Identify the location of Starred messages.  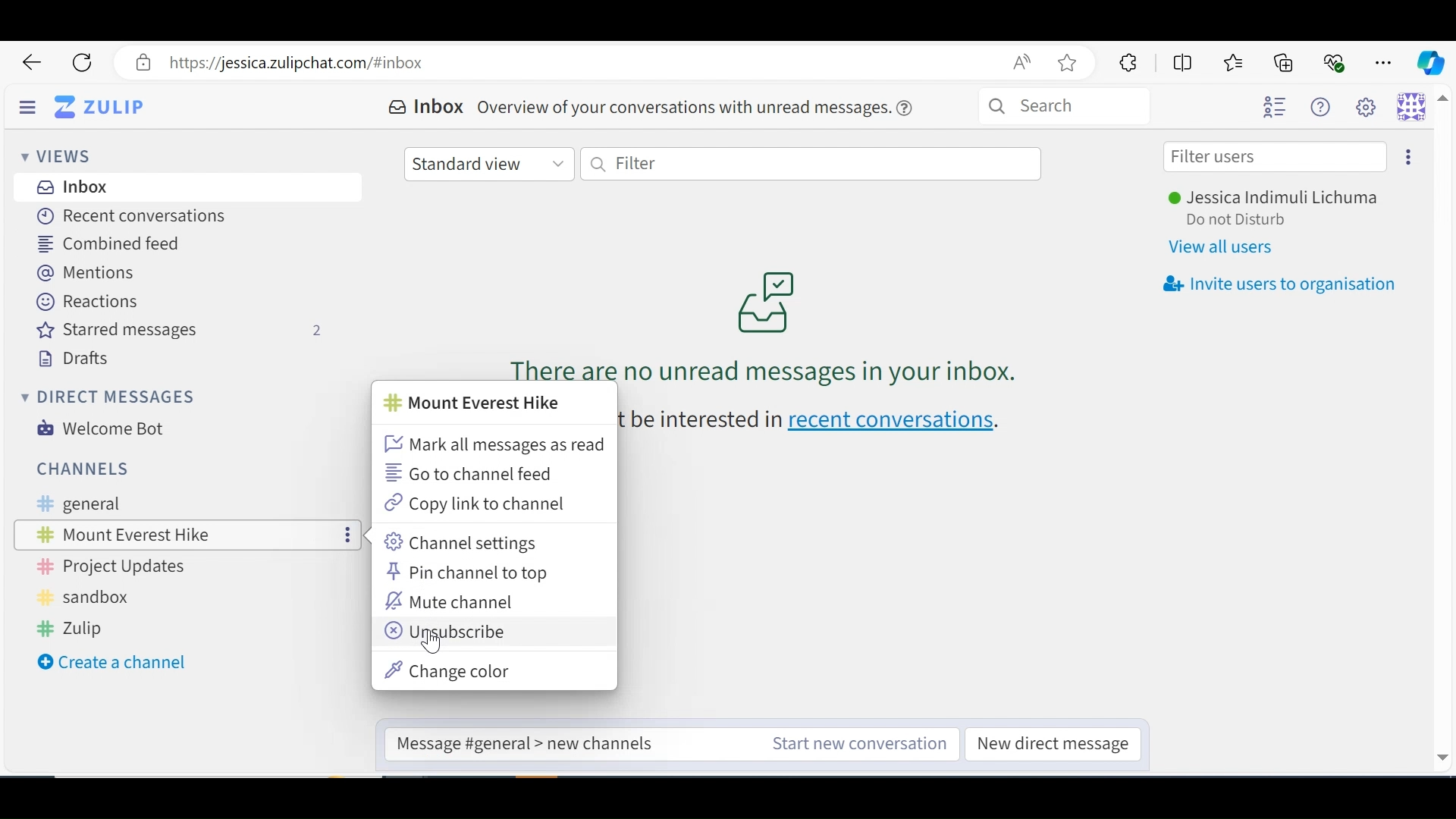
(181, 331).